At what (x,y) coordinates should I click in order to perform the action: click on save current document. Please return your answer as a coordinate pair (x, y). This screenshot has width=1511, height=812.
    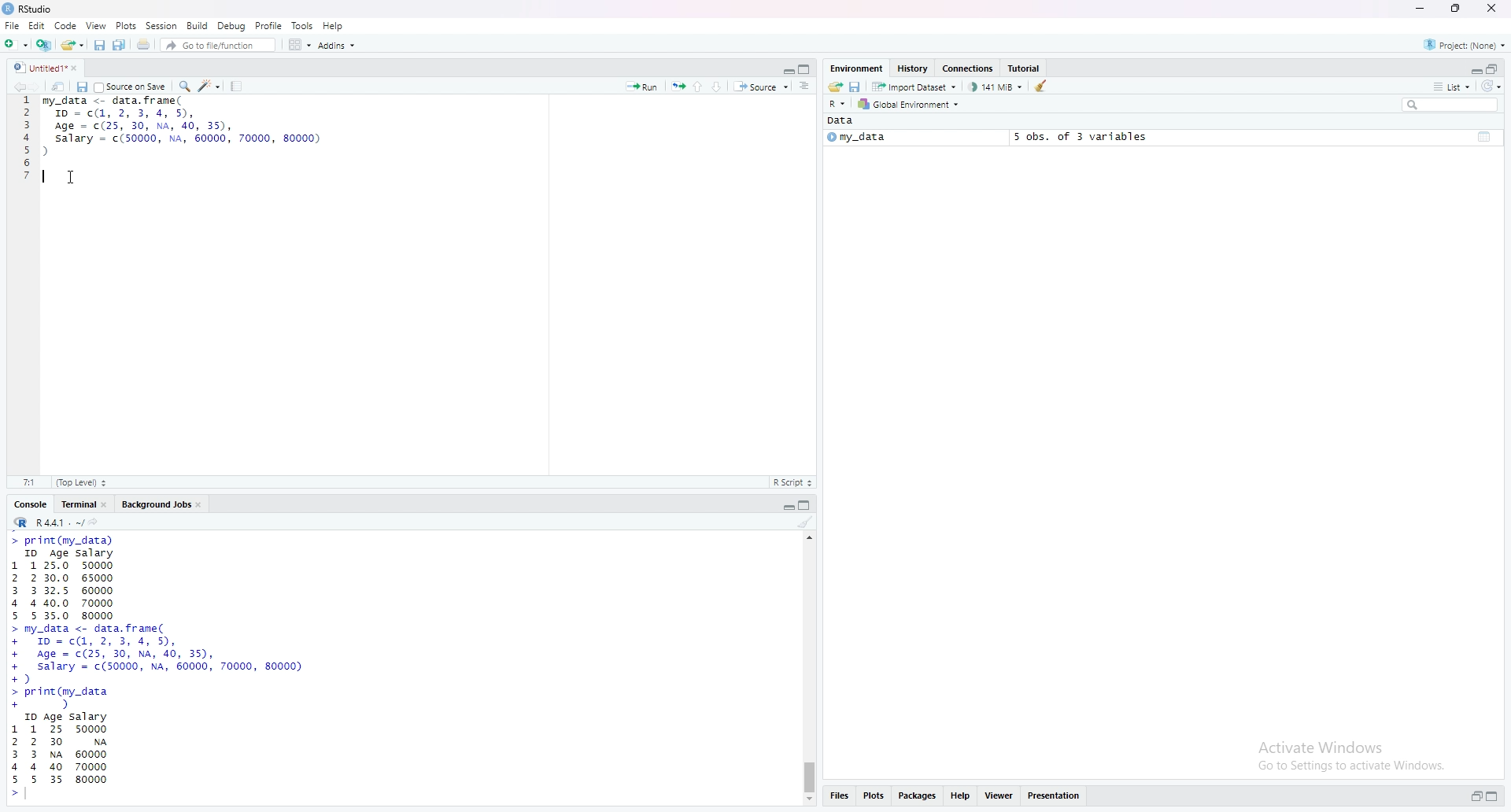
    Looking at the image, I should click on (98, 46).